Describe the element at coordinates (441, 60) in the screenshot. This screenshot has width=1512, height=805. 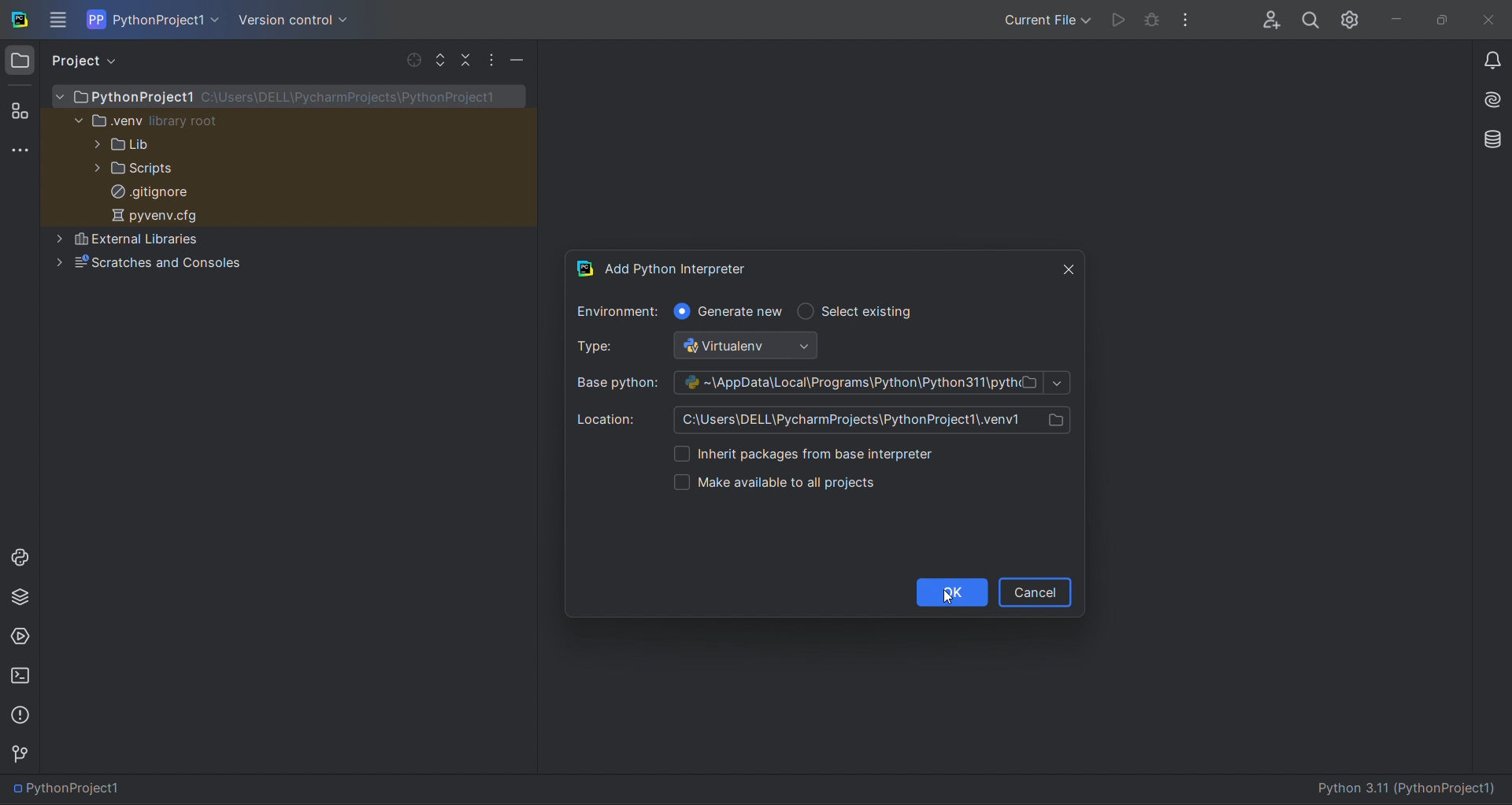
I see `expand file` at that location.